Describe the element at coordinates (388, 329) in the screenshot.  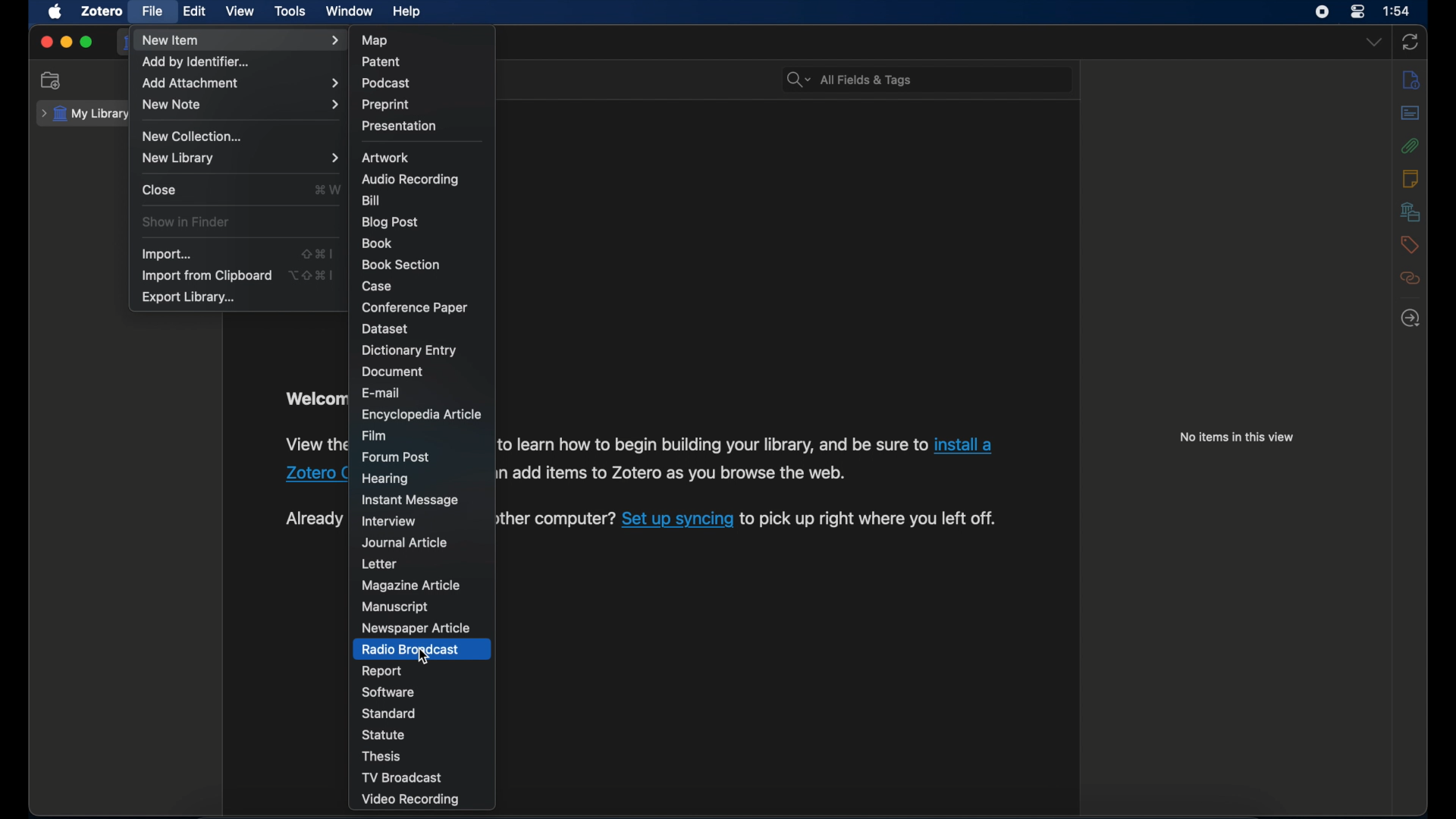
I see `dataset` at that location.